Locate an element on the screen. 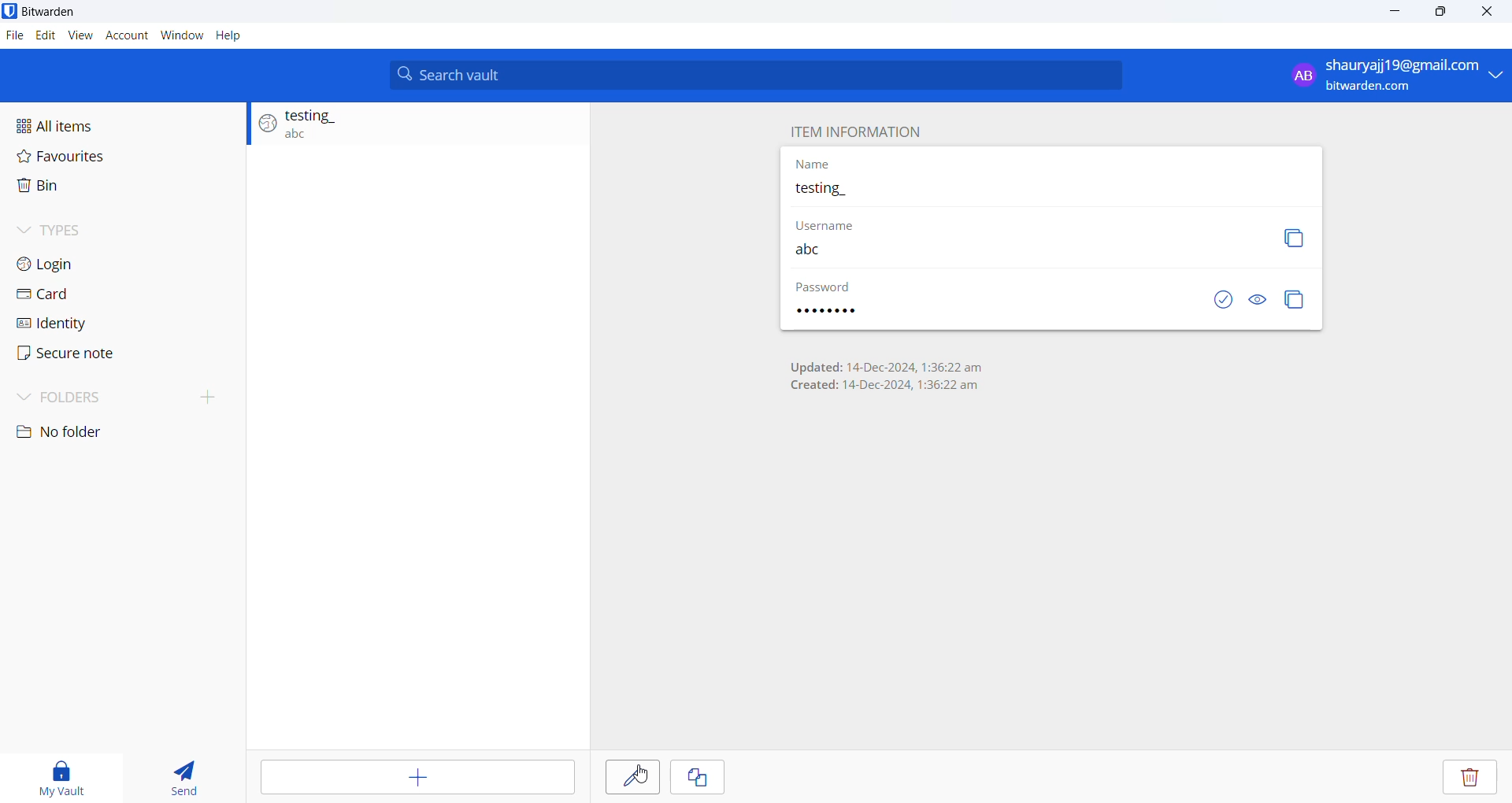  Window is located at coordinates (182, 33).